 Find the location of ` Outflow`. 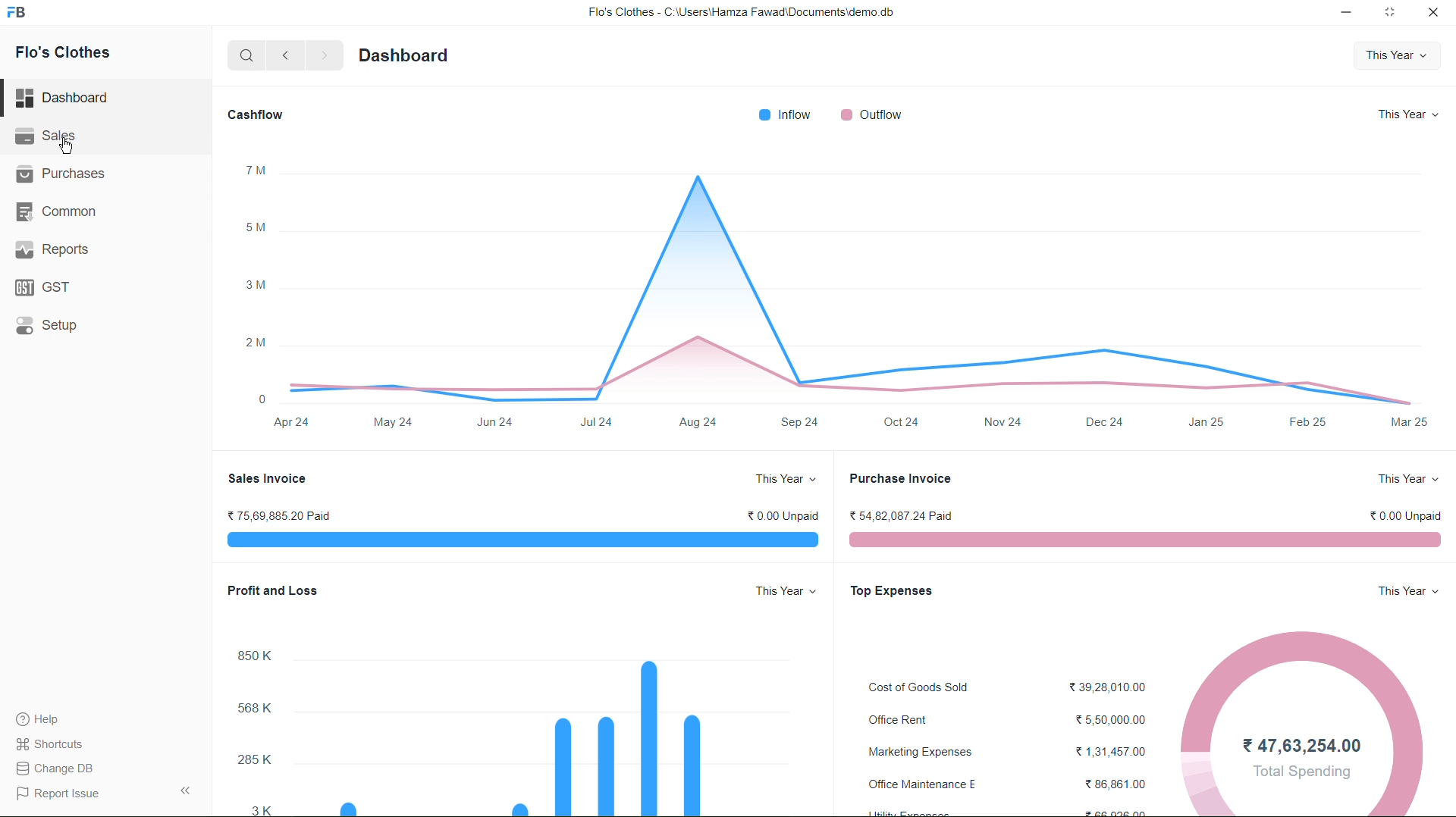

 Outflow is located at coordinates (882, 114).